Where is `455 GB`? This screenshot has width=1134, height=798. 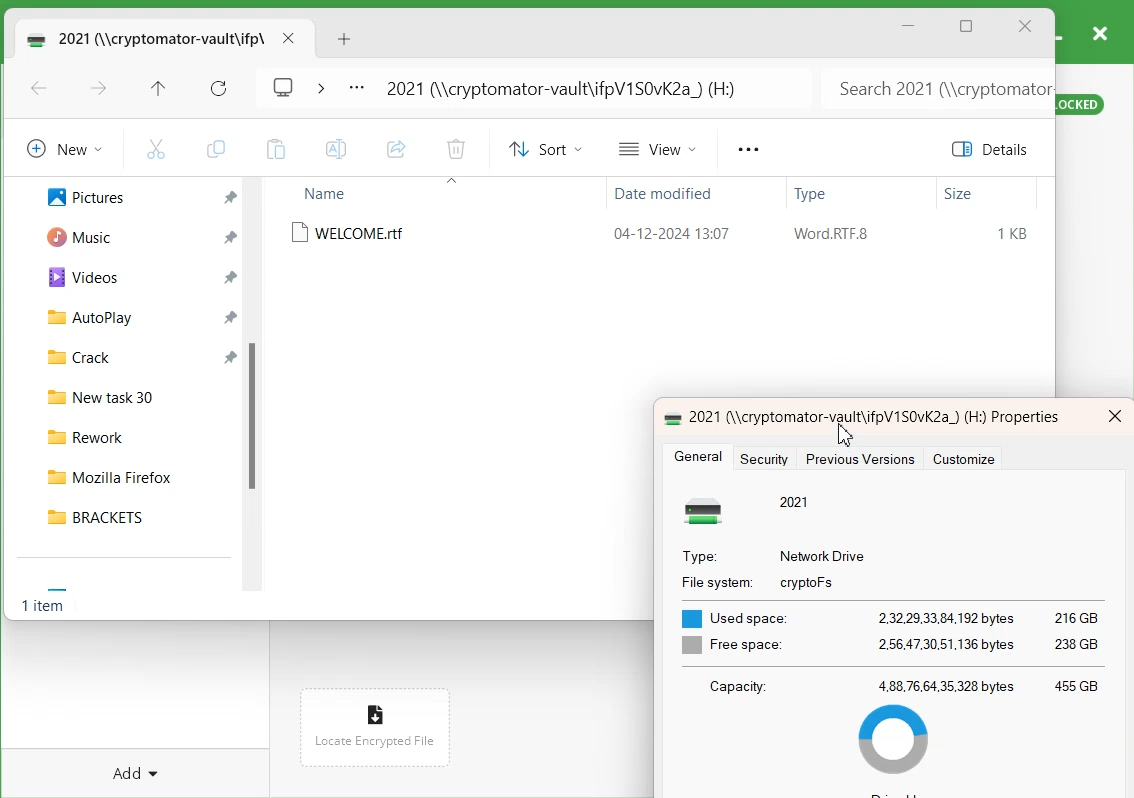
455 GB is located at coordinates (1077, 685).